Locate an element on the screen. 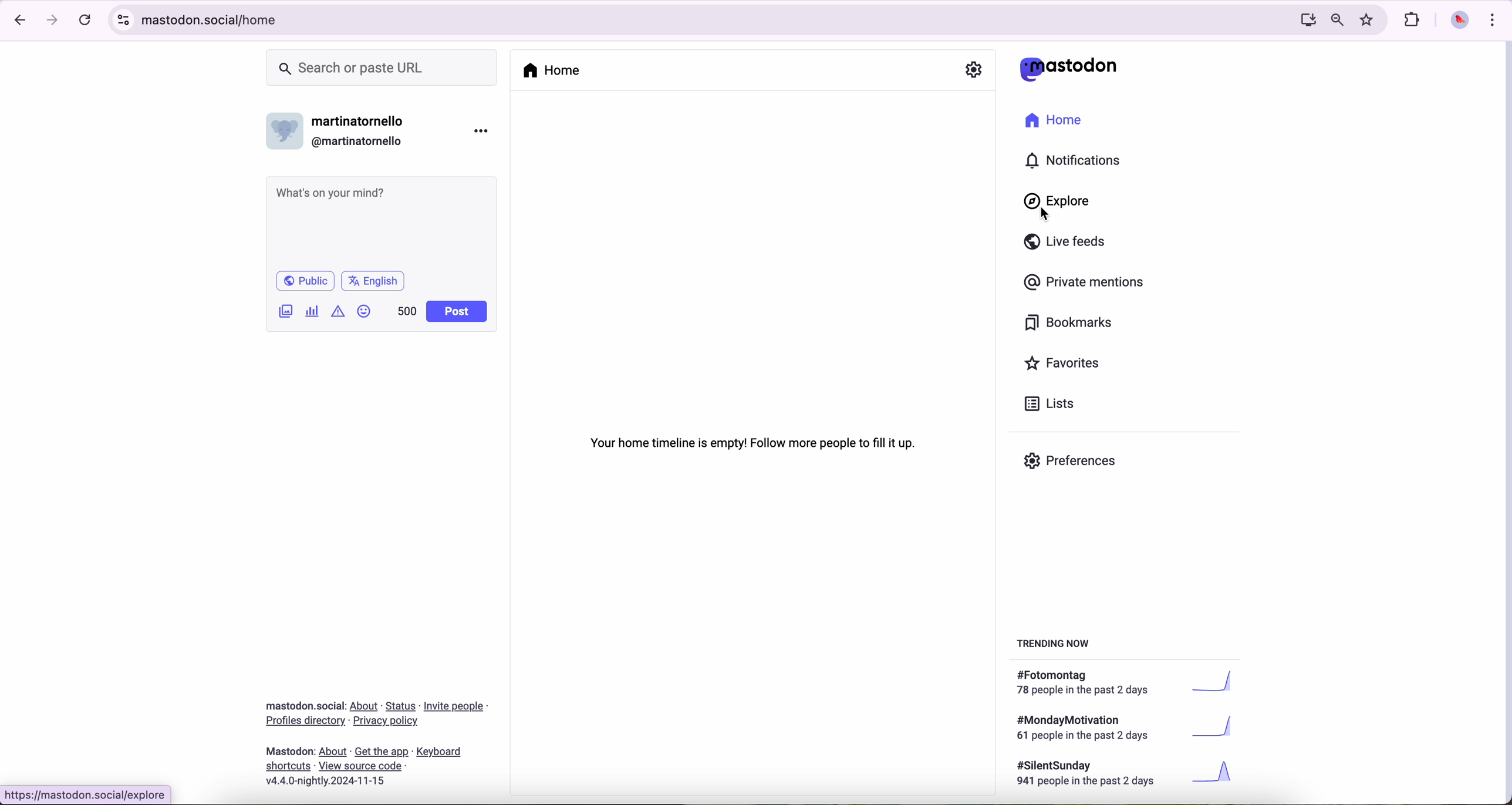 The width and height of the screenshot is (1512, 805). lists is located at coordinates (1045, 403).